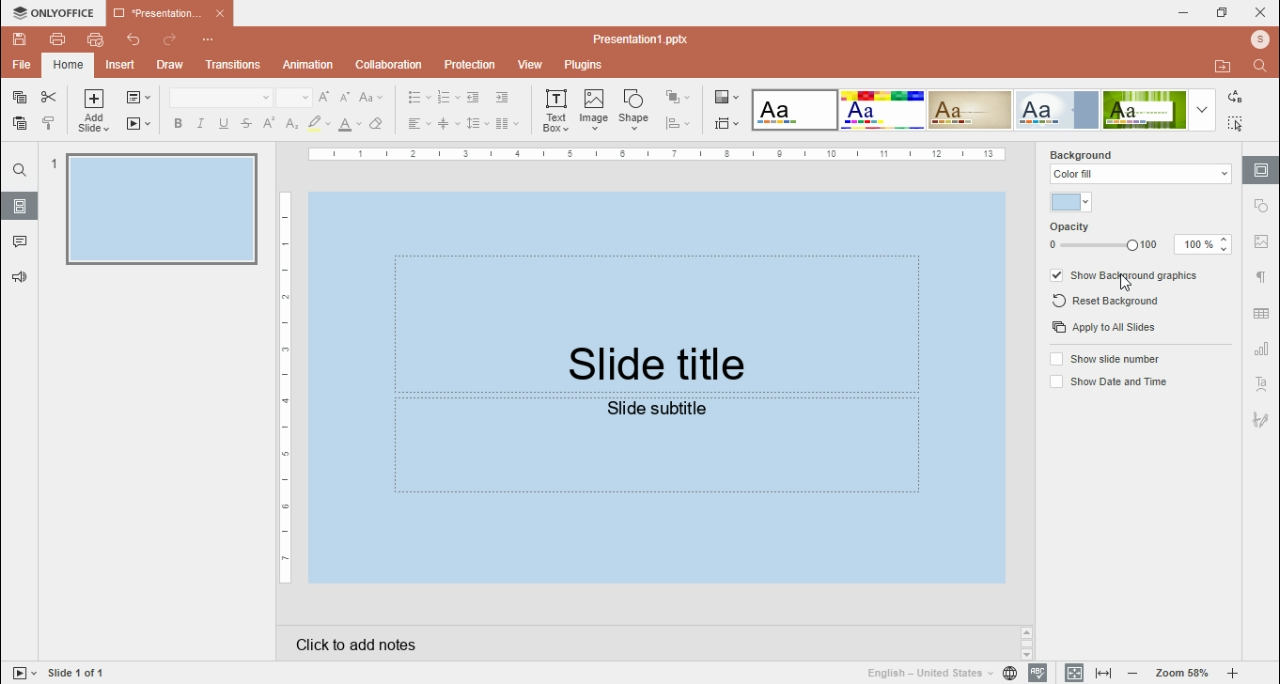 This screenshot has width=1280, height=684. Describe the element at coordinates (95, 39) in the screenshot. I see `quick print` at that location.